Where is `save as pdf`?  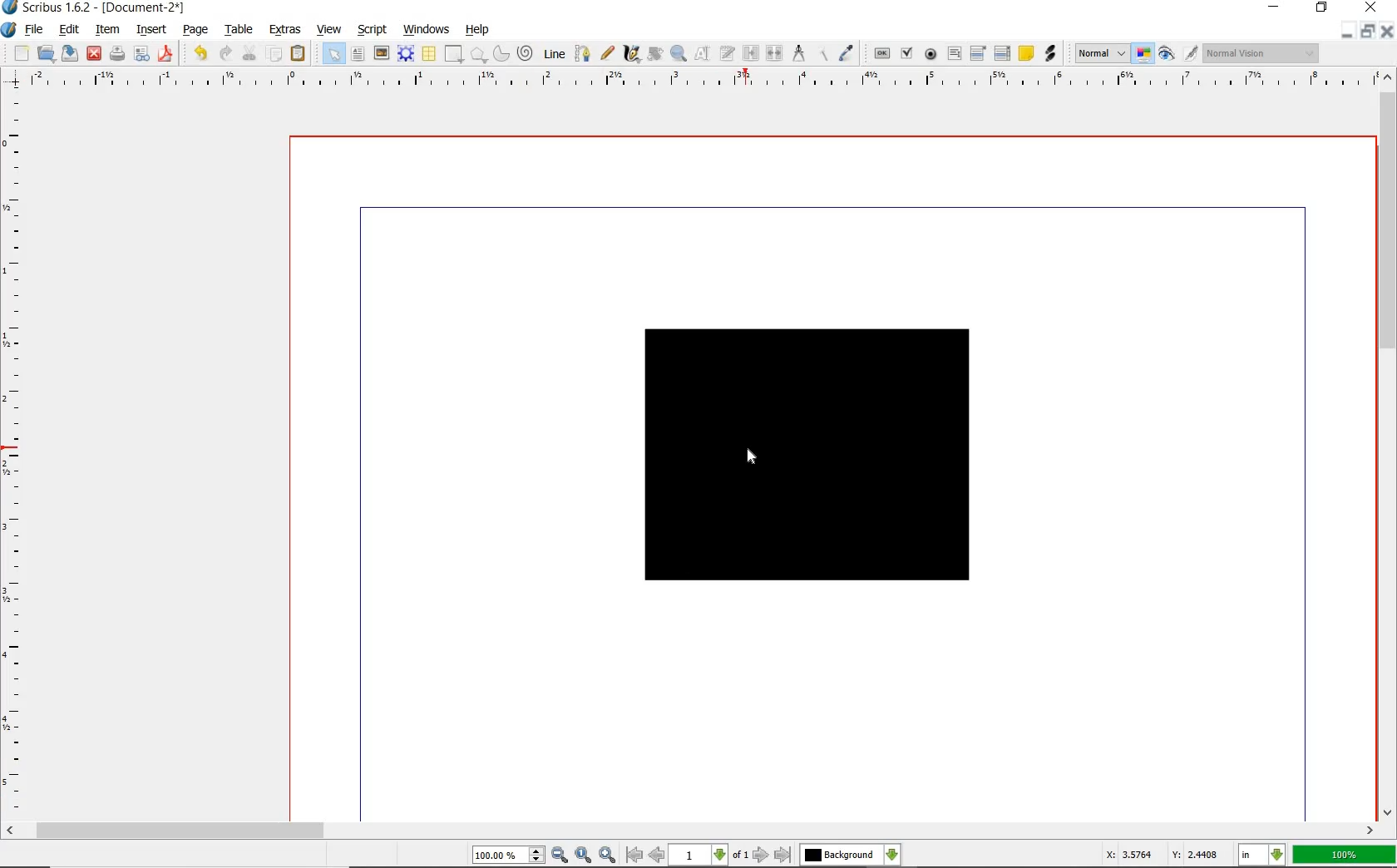
save as pdf is located at coordinates (167, 54).